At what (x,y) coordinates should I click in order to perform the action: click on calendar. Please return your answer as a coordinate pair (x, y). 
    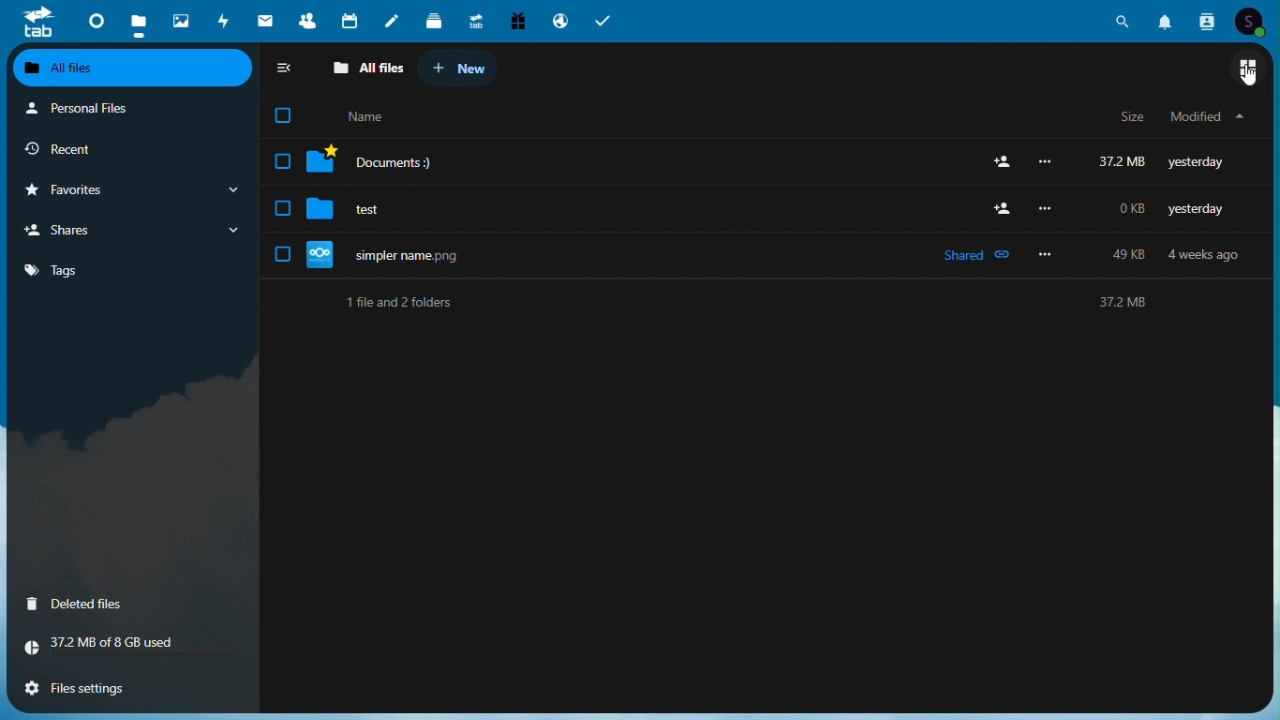
    Looking at the image, I should click on (349, 19).